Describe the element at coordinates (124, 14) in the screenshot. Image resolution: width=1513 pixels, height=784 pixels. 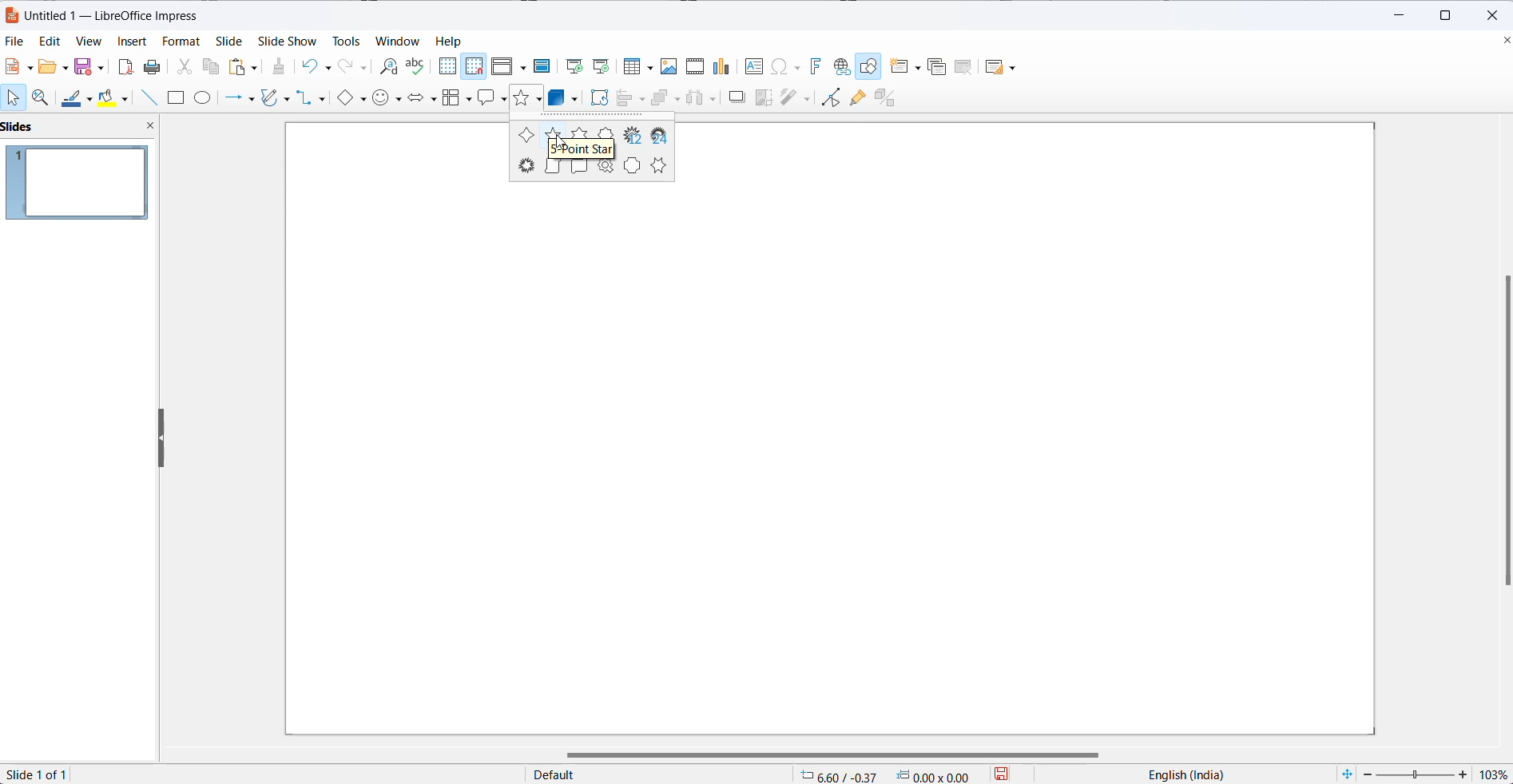
I see `Untitled 1-LibreOffice Impress` at that location.